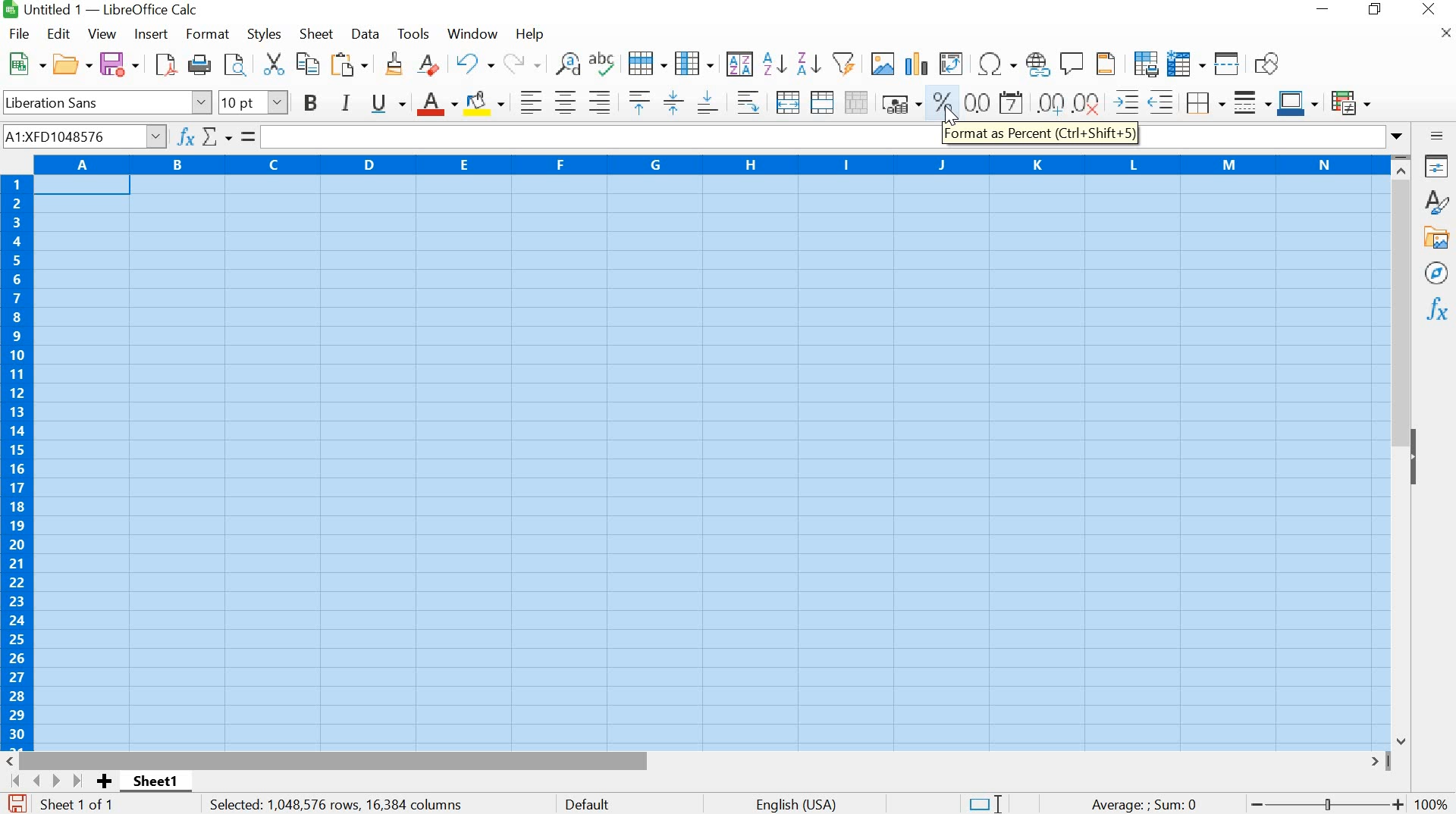 This screenshot has height=814, width=1456. I want to click on SHEET 1 OF 1, so click(80, 803).